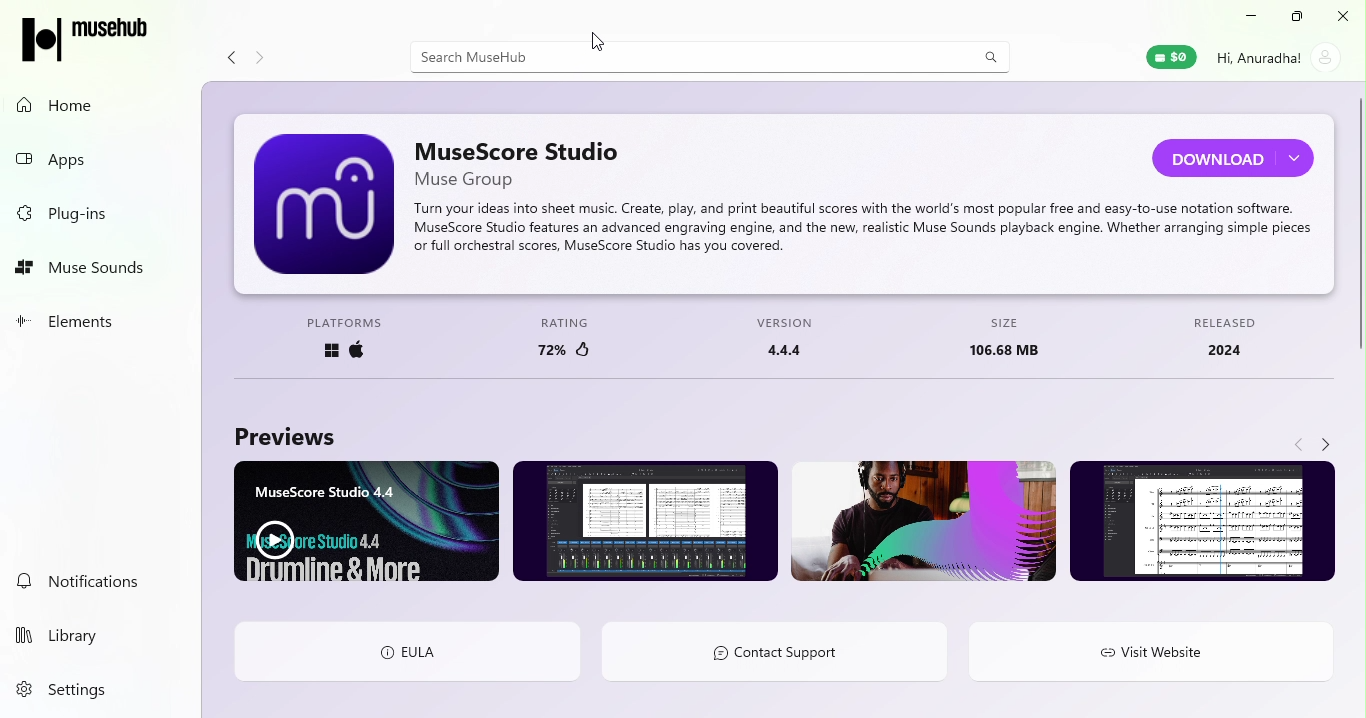 This screenshot has width=1366, height=718. Describe the element at coordinates (90, 105) in the screenshot. I see `Home` at that location.